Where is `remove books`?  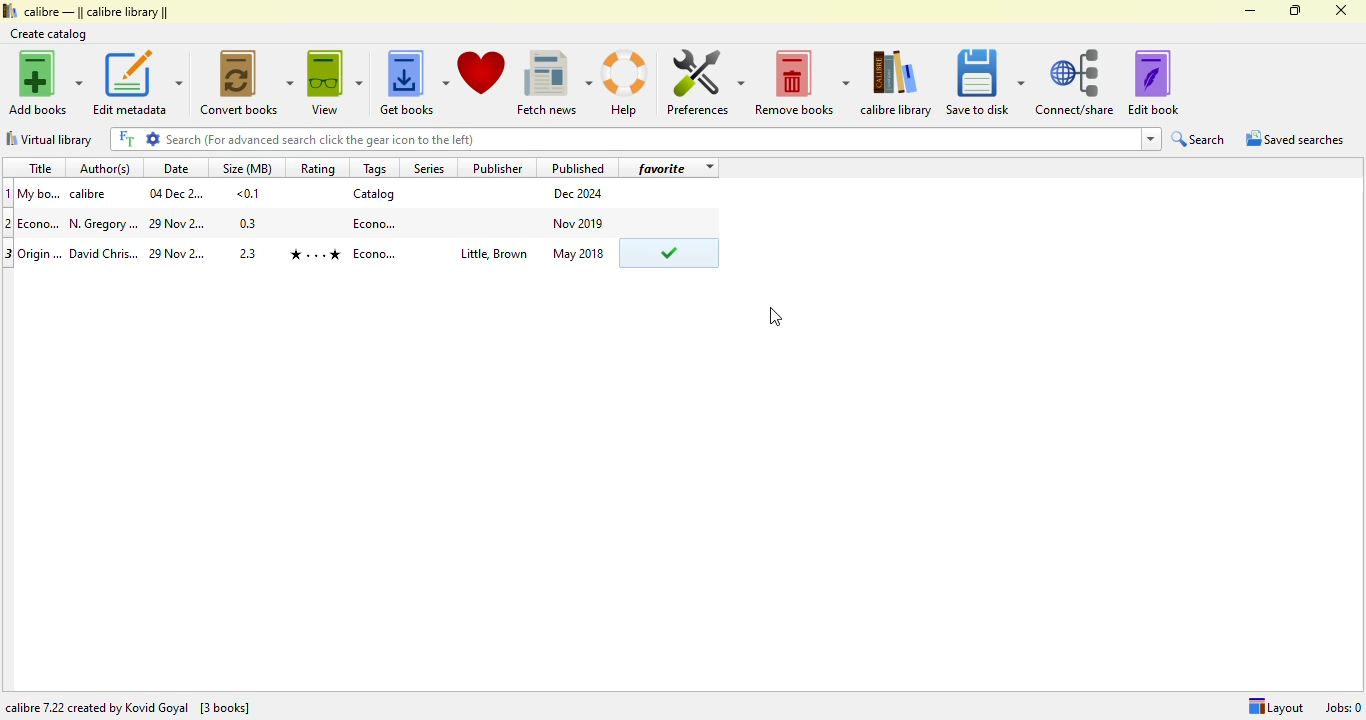 remove books is located at coordinates (802, 83).